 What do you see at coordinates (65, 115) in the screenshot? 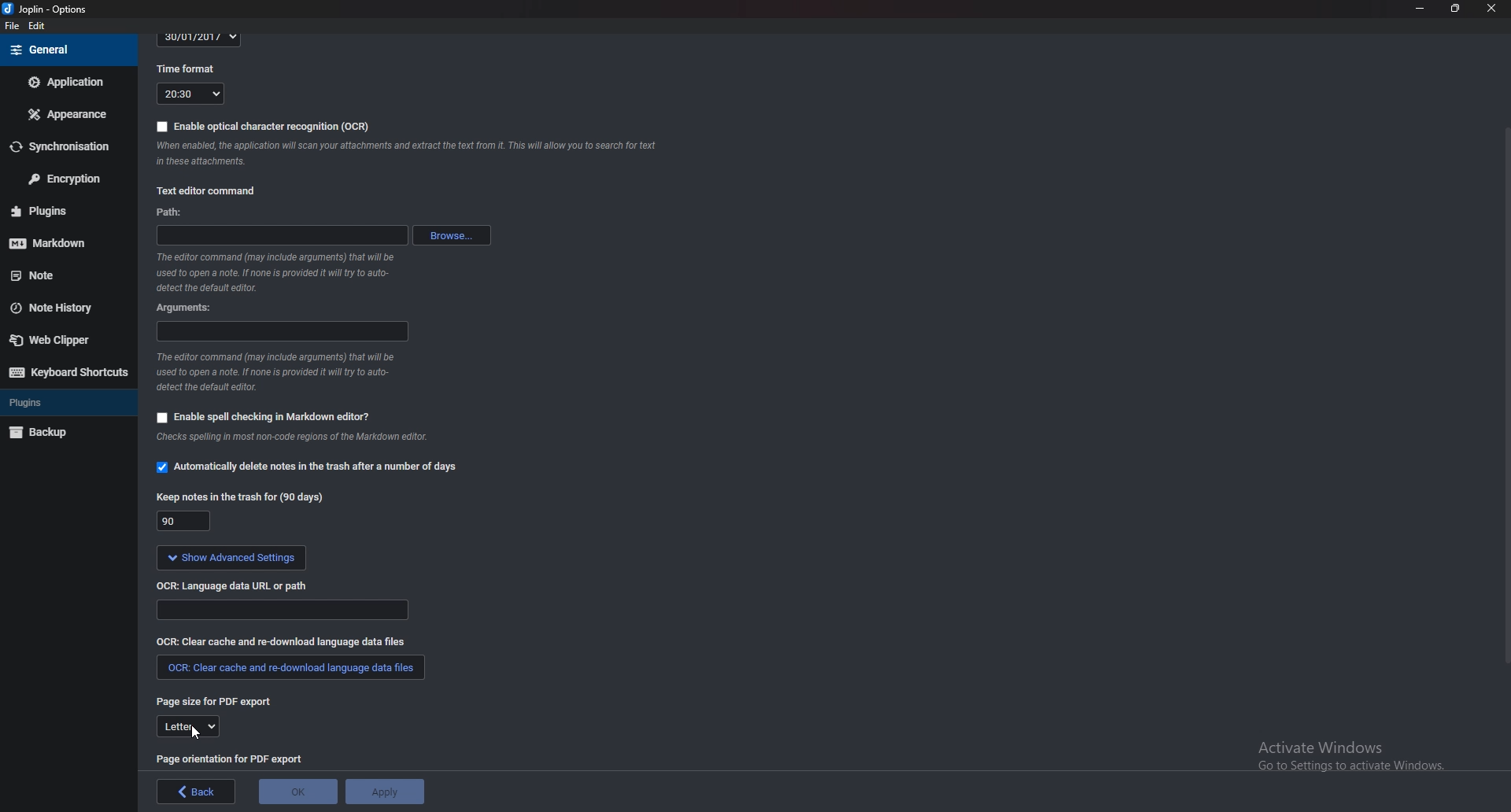
I see `Appearance` at bounding box center [65, 115].